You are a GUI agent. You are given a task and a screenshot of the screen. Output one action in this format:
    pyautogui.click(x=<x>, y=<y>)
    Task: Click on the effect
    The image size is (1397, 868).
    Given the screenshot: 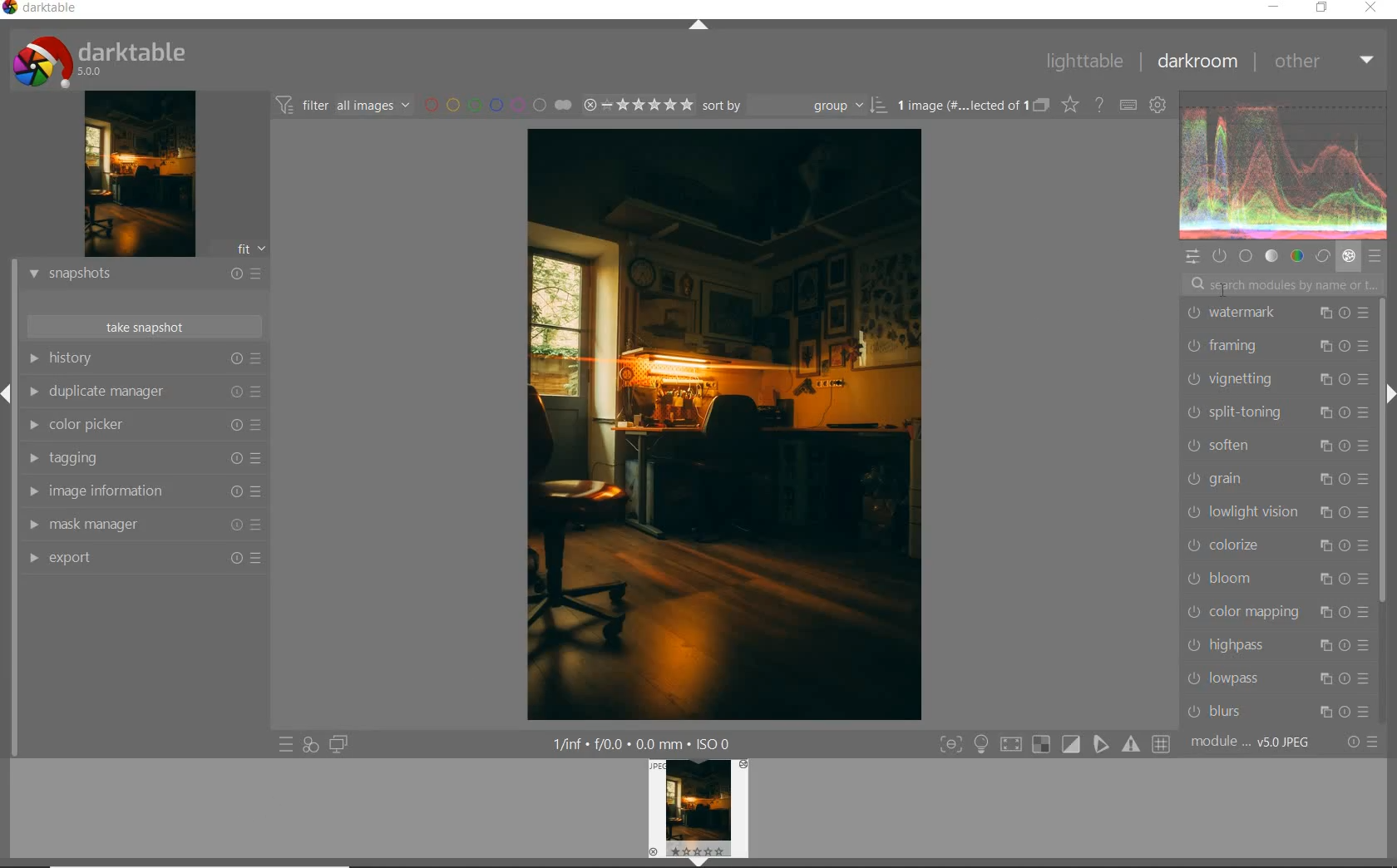 What is the action you would take?
    pyautogui.click(x=1349, y=255)
    